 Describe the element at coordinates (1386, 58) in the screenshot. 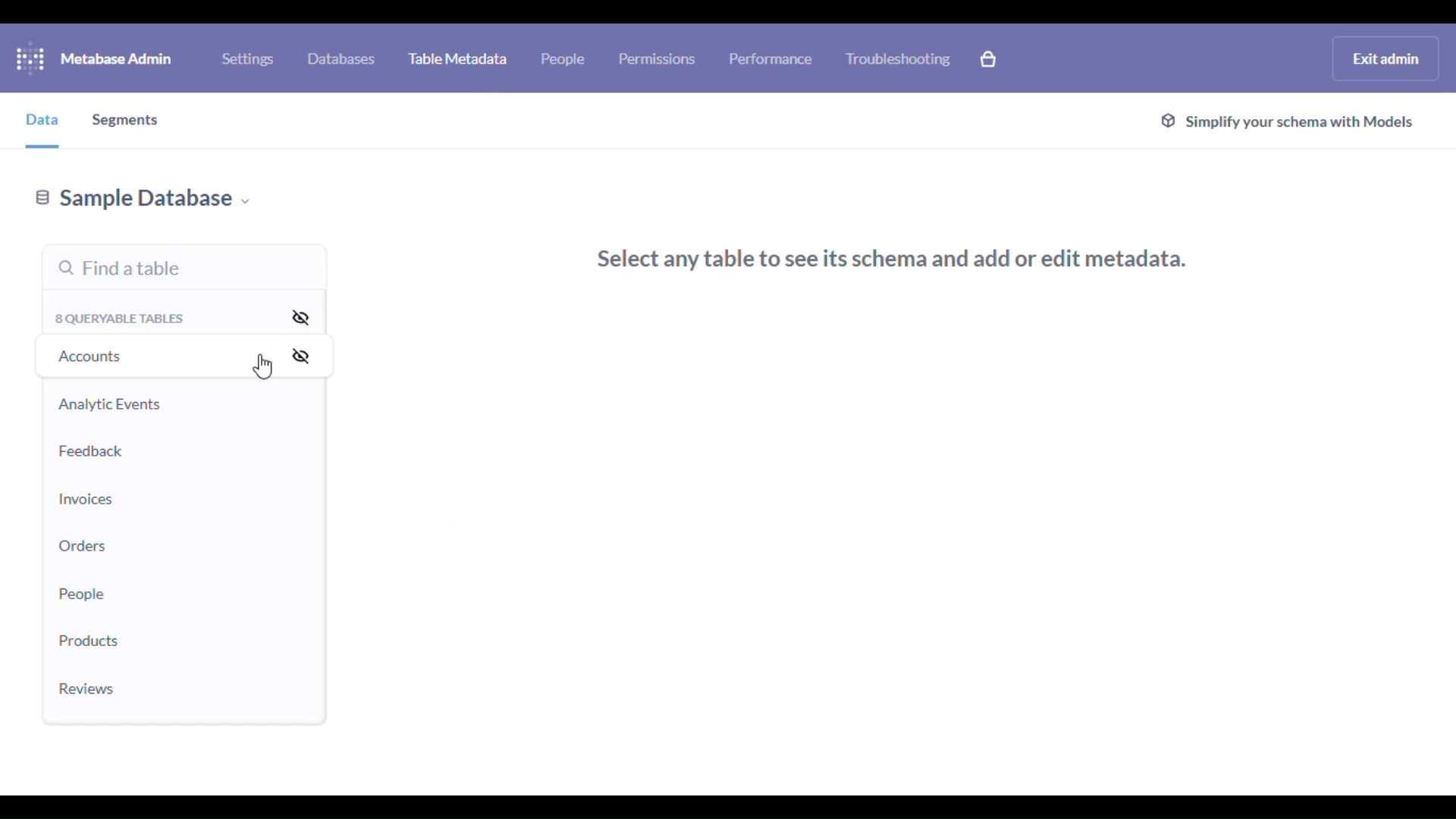

I see `exit admin` at that location.